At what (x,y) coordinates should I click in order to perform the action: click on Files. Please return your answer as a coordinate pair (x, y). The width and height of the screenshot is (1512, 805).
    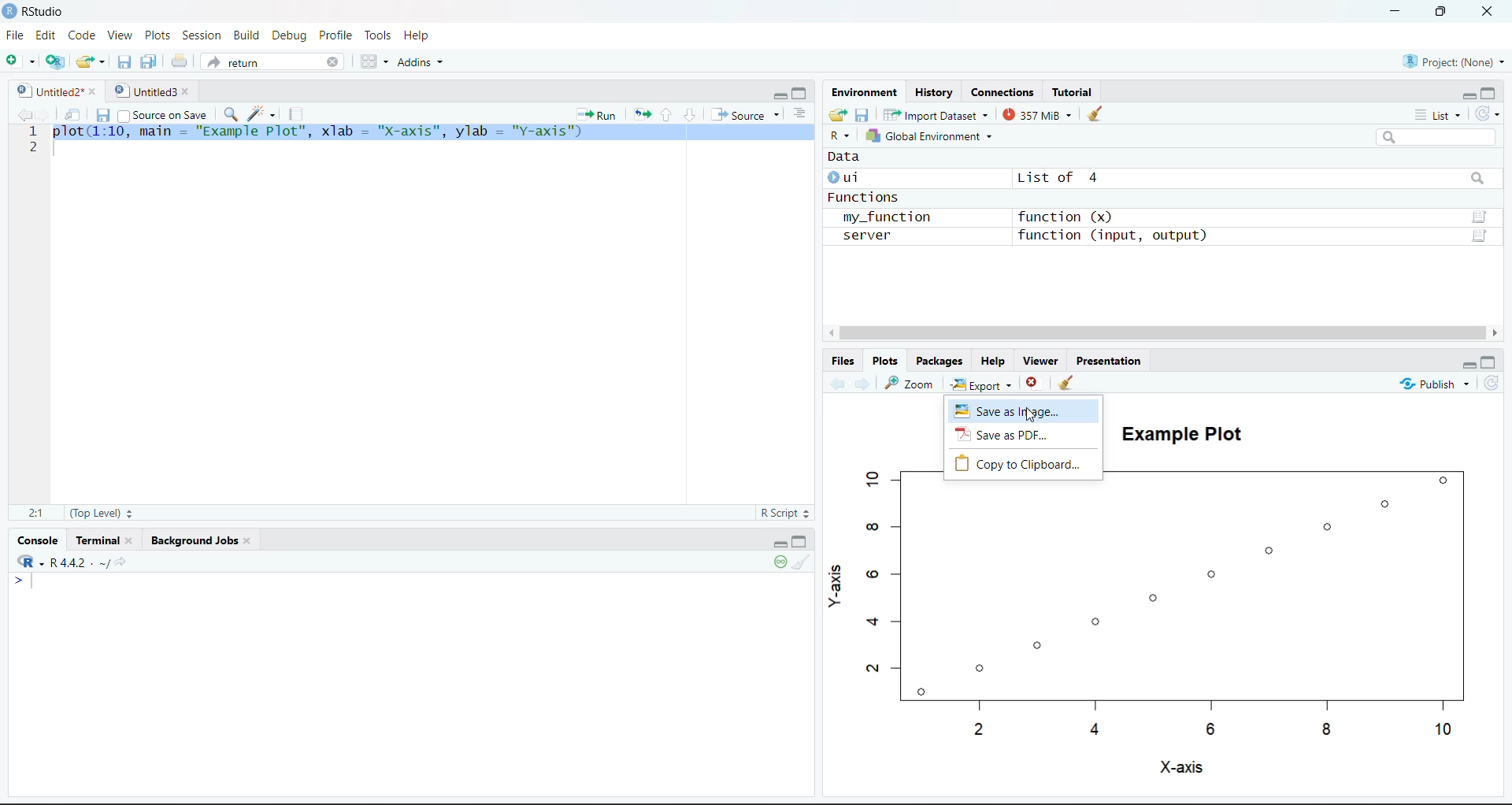
    Looking at the image, I should click on (844, 361).